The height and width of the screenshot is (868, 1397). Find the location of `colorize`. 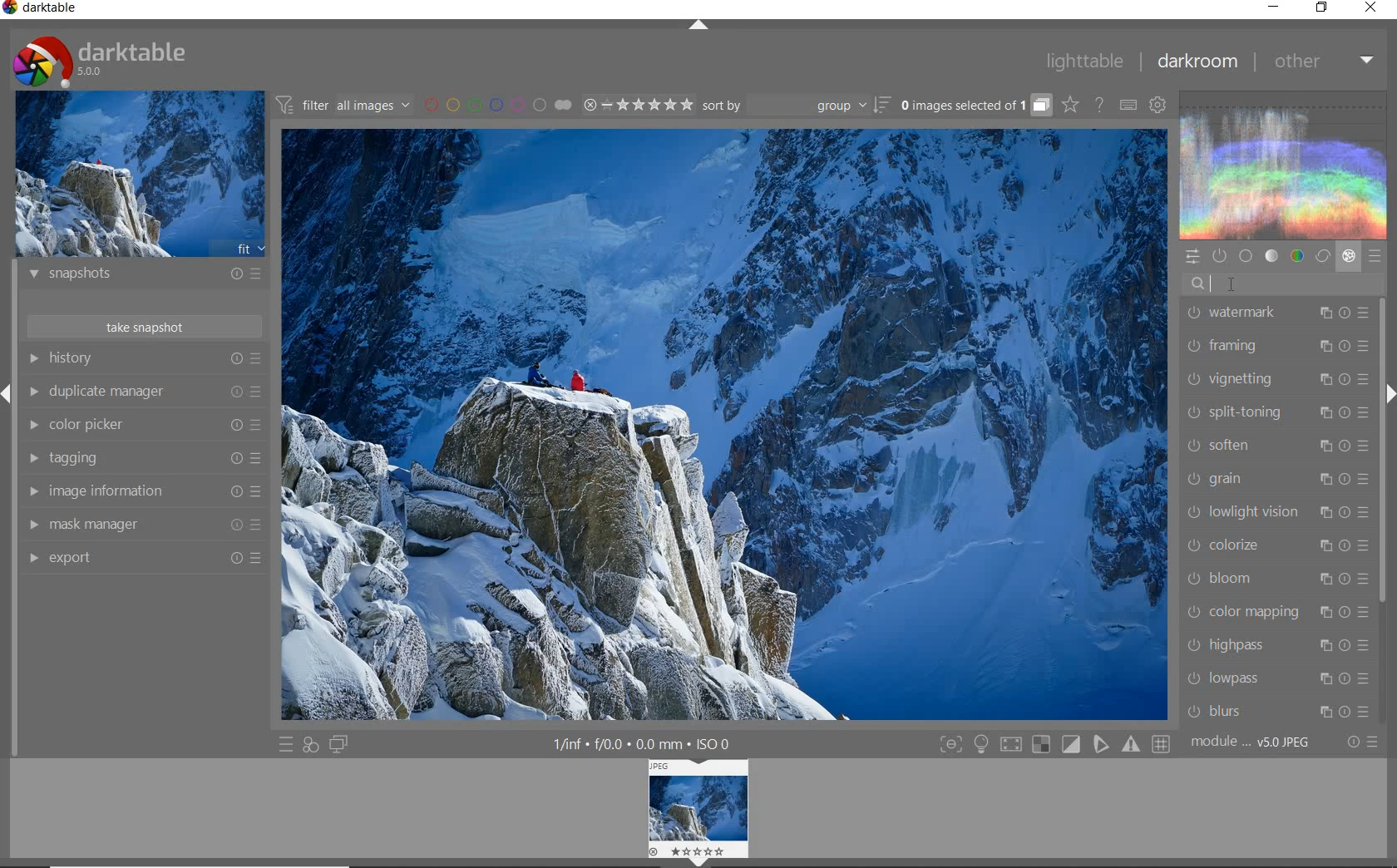

colorize is located at coordinates (1275, 545).